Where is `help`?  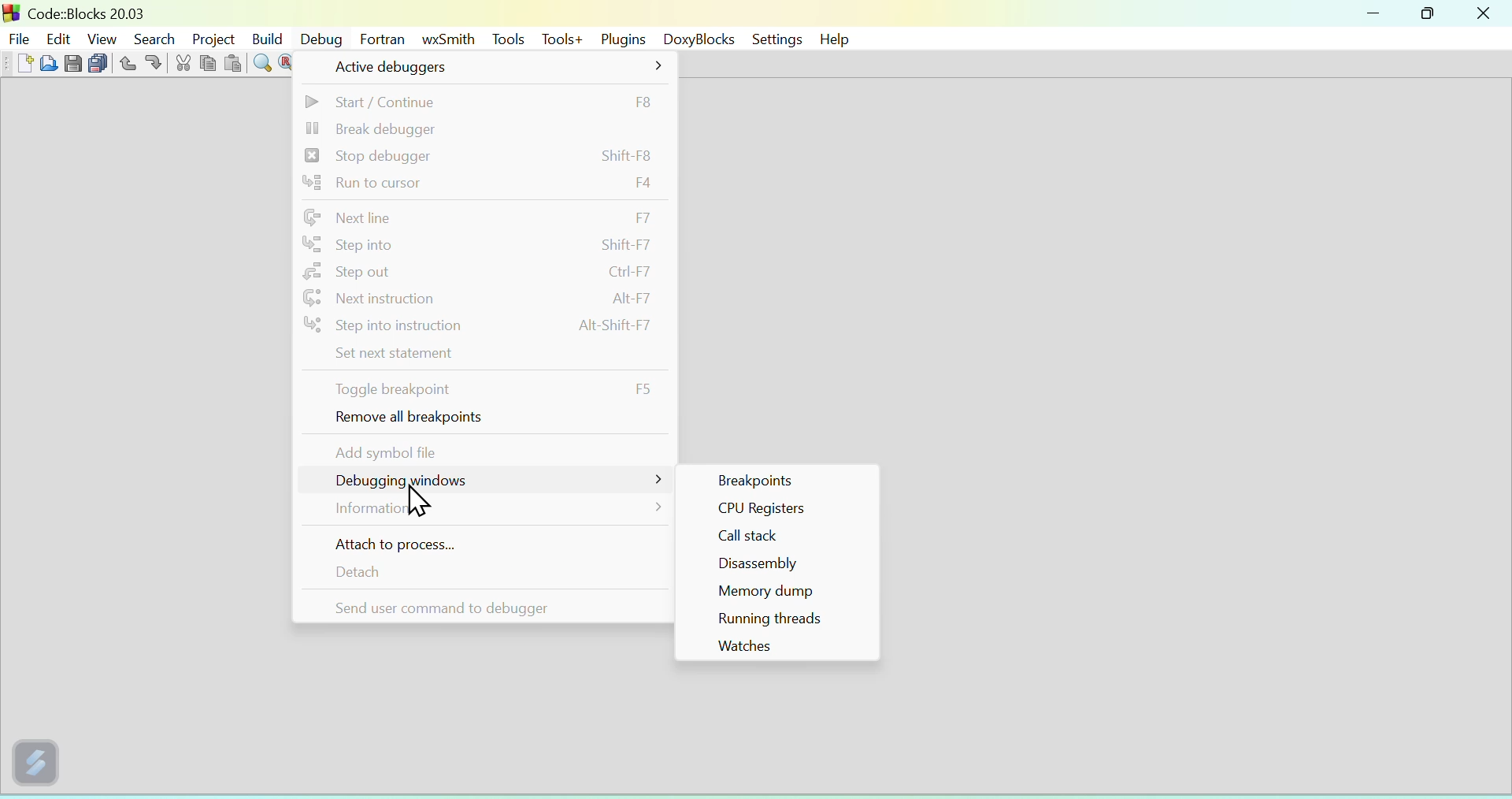 help is located at coordinates (837, 39).